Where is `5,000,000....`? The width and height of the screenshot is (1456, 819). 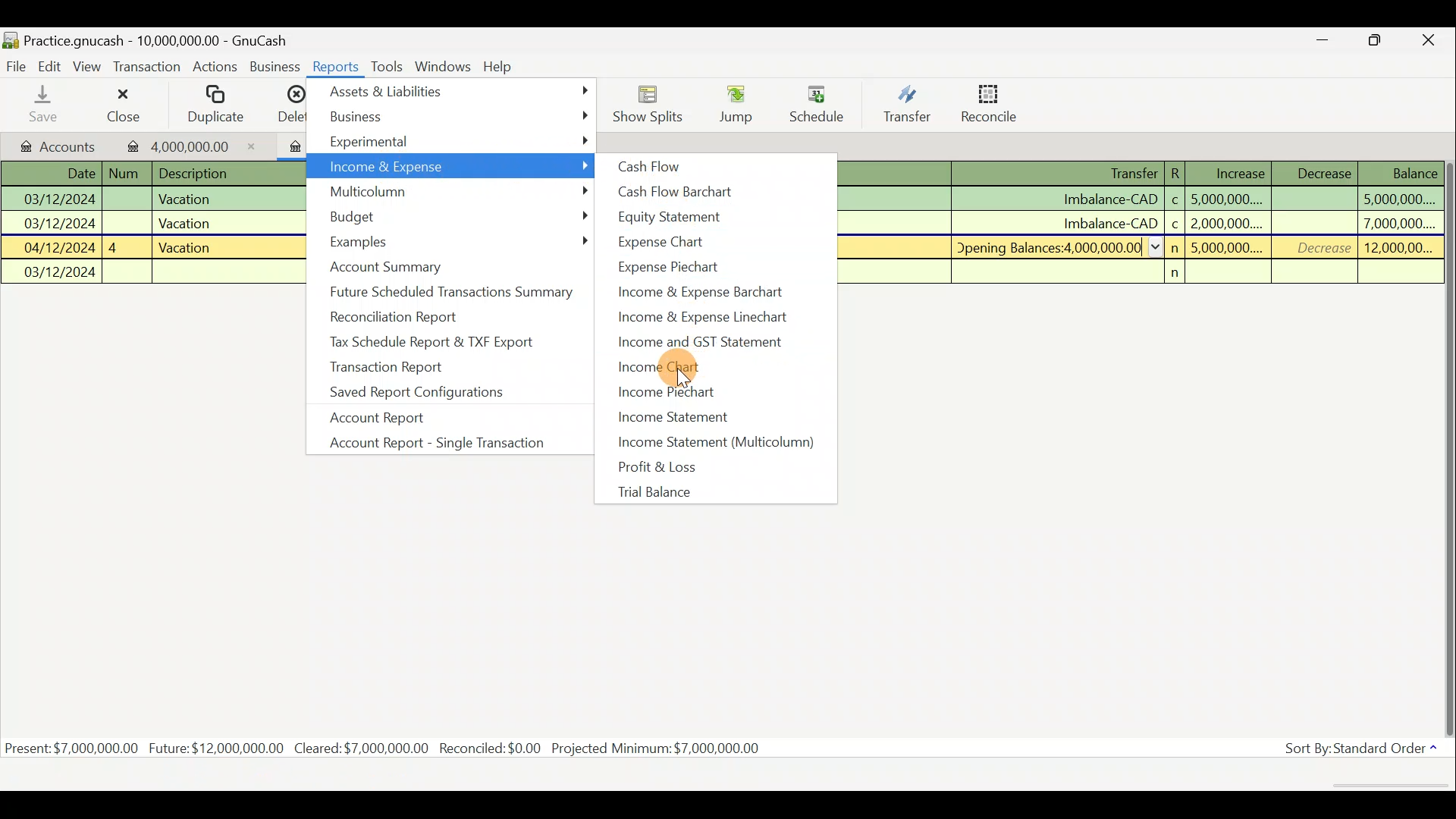 5,000,000.... is located at coordinates (1228, 199).